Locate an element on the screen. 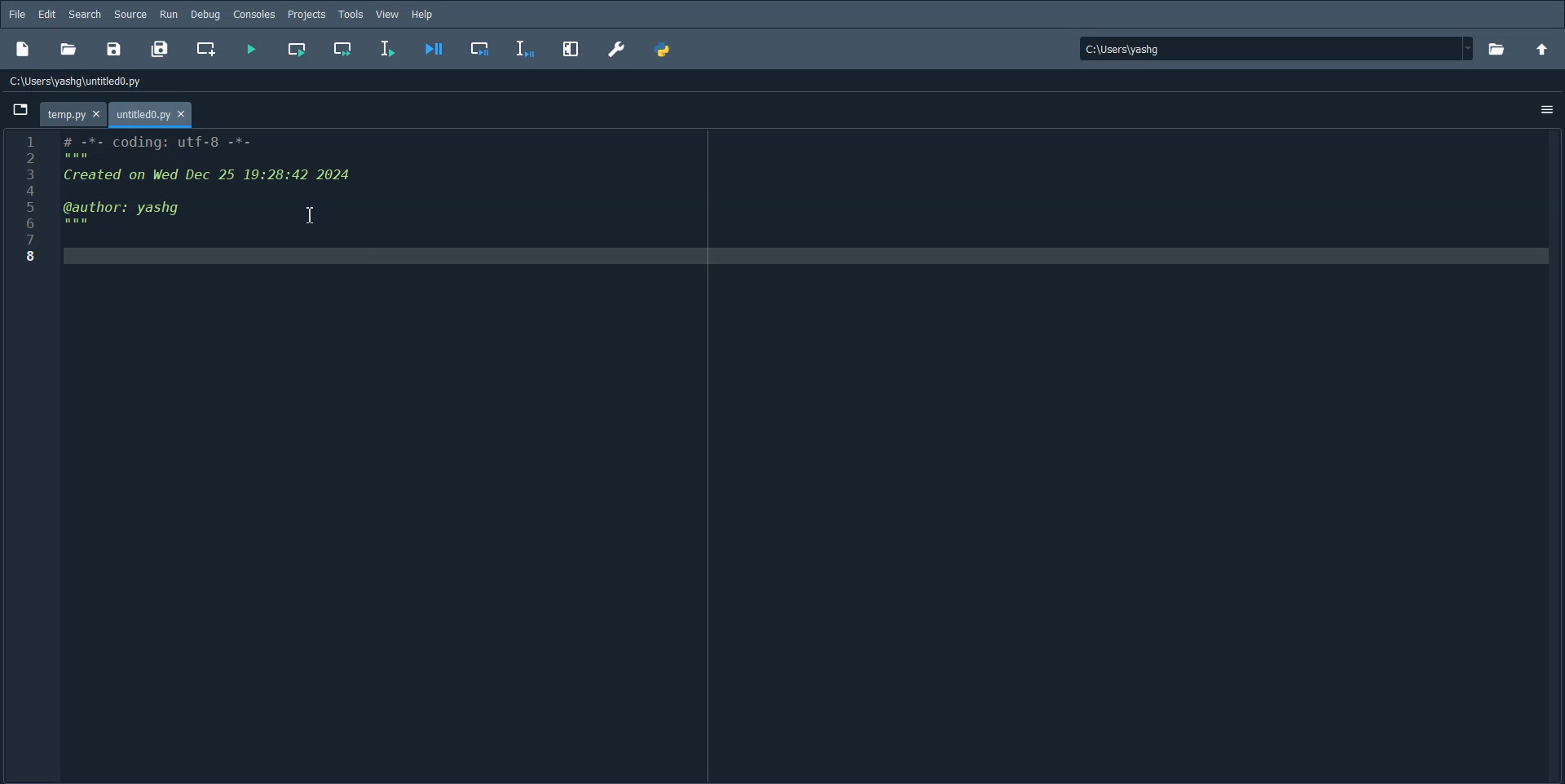  Change the parent directory is located at coordinates (1544, 47).